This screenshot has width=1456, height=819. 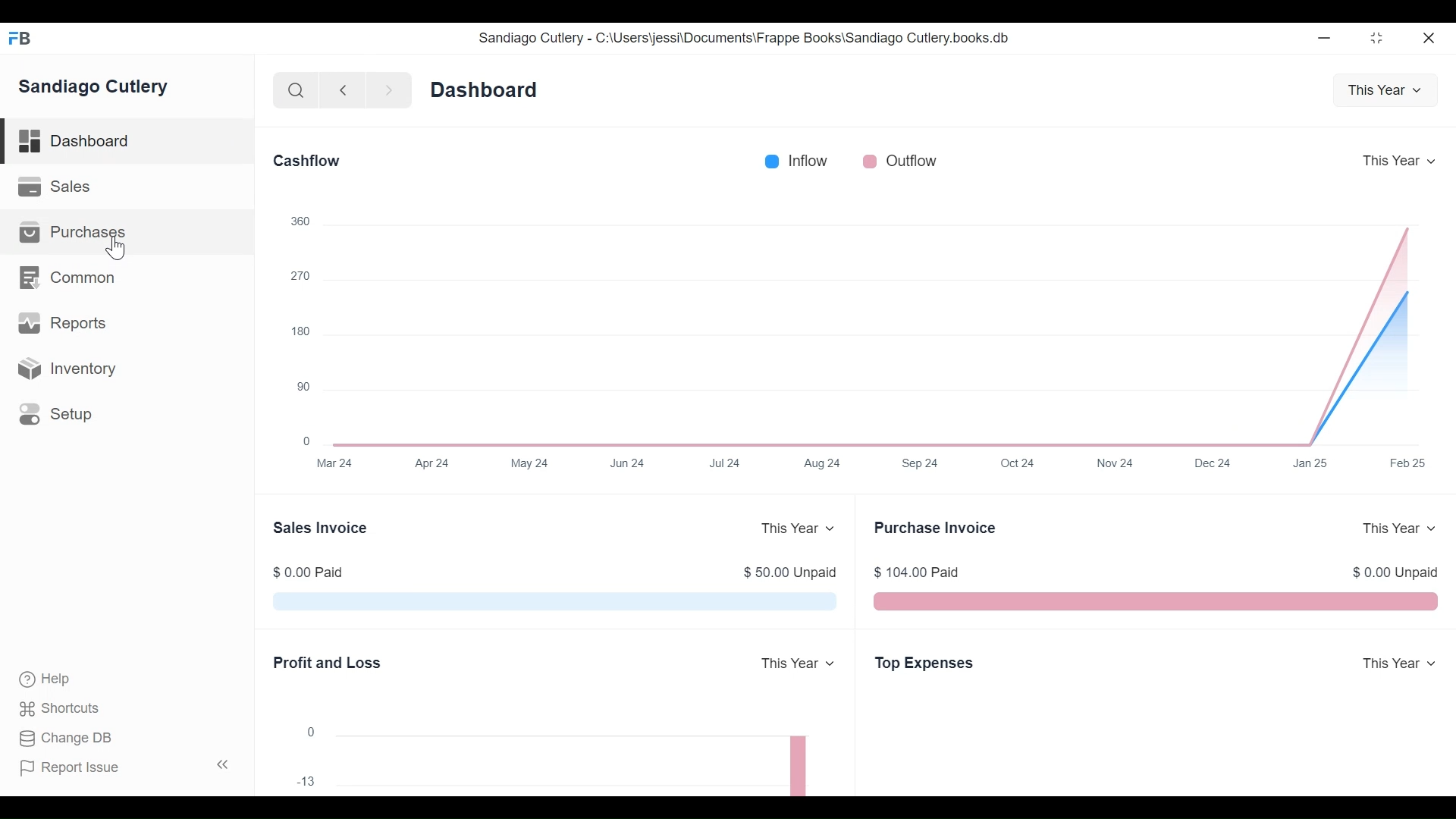 I want to click on Sales, so click(x=58, y=187).